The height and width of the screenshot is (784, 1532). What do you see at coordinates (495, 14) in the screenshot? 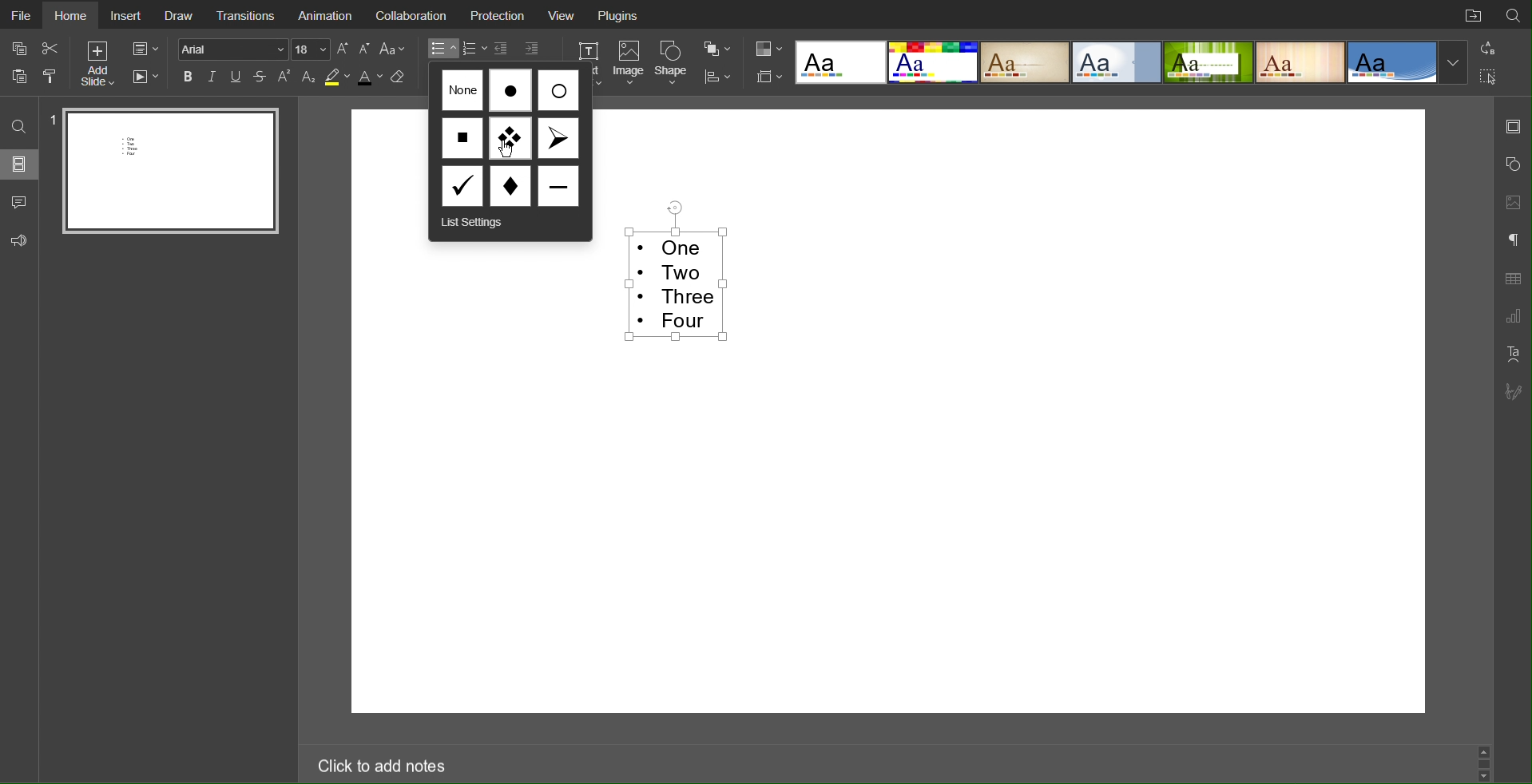
I see `Protection` at bounding box center [495, 14].